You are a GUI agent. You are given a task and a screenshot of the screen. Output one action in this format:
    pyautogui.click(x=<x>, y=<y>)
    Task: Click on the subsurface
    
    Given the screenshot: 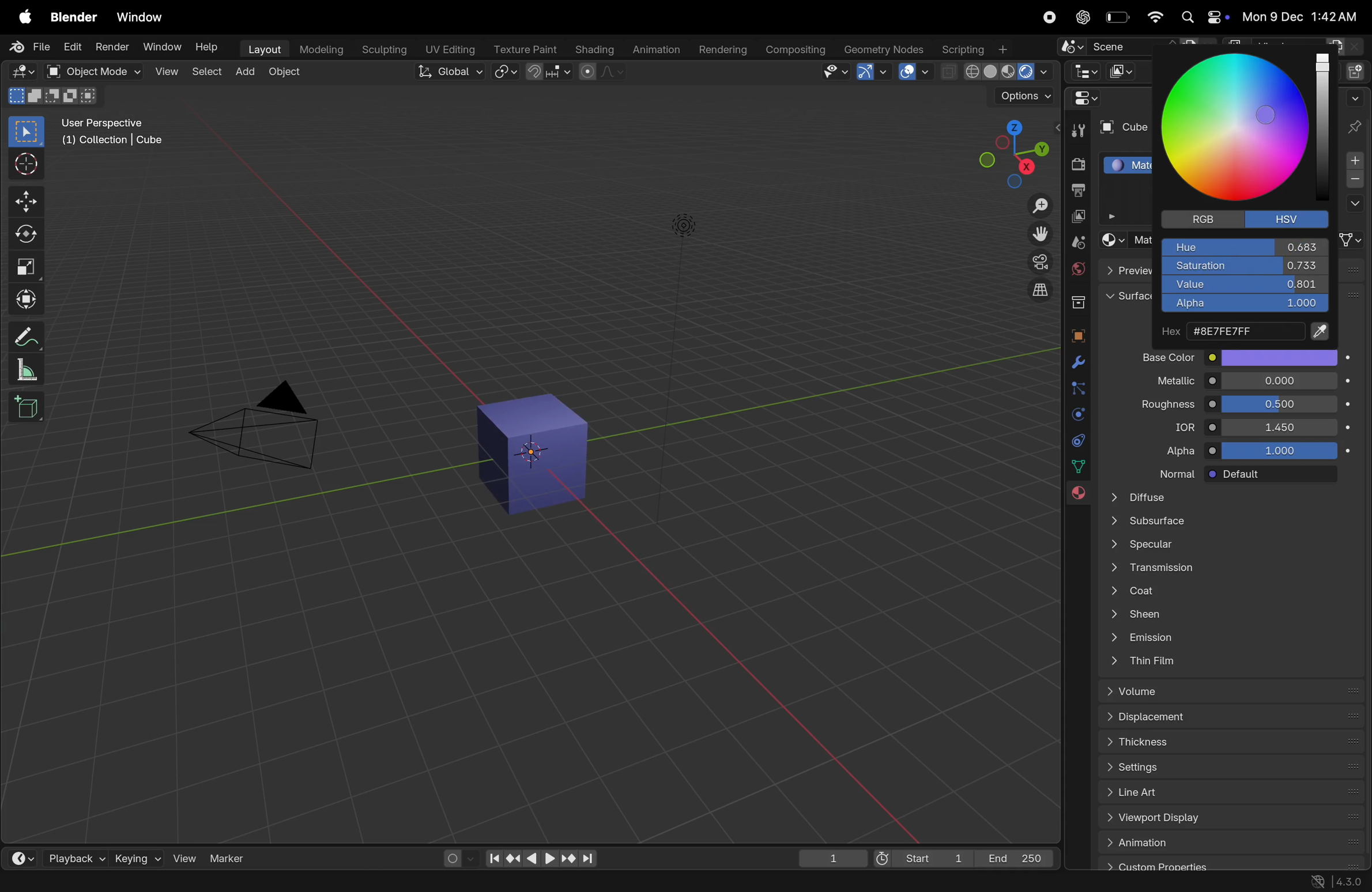 What is the action you would take?
    pyautogui.click(x=1225, y=523)
    